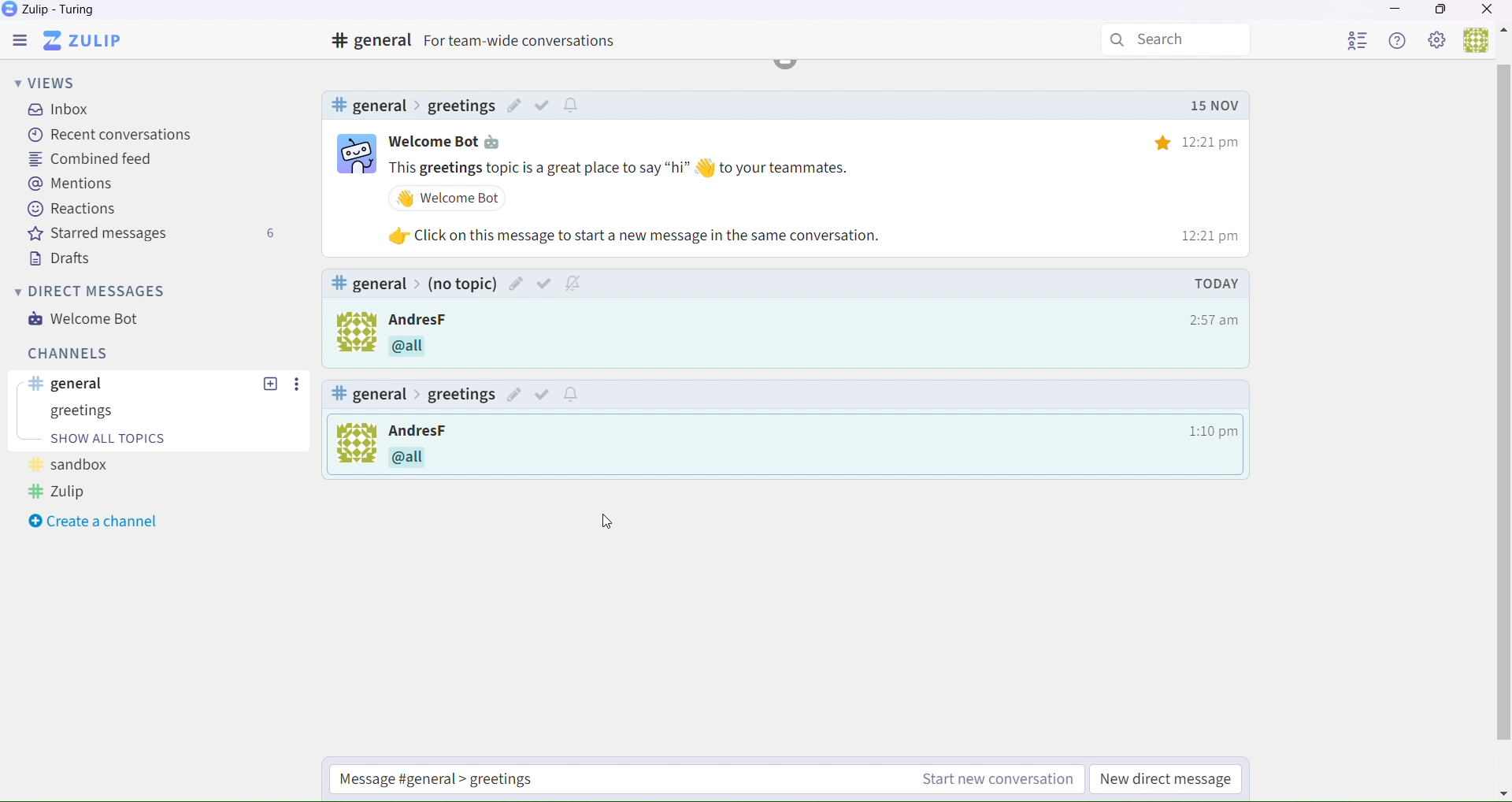 The width and height of the screenshot is (1512, 802). Describe the element at coordinates (991, 782) in the screenshot. I see `Start a new conversation` at that location.